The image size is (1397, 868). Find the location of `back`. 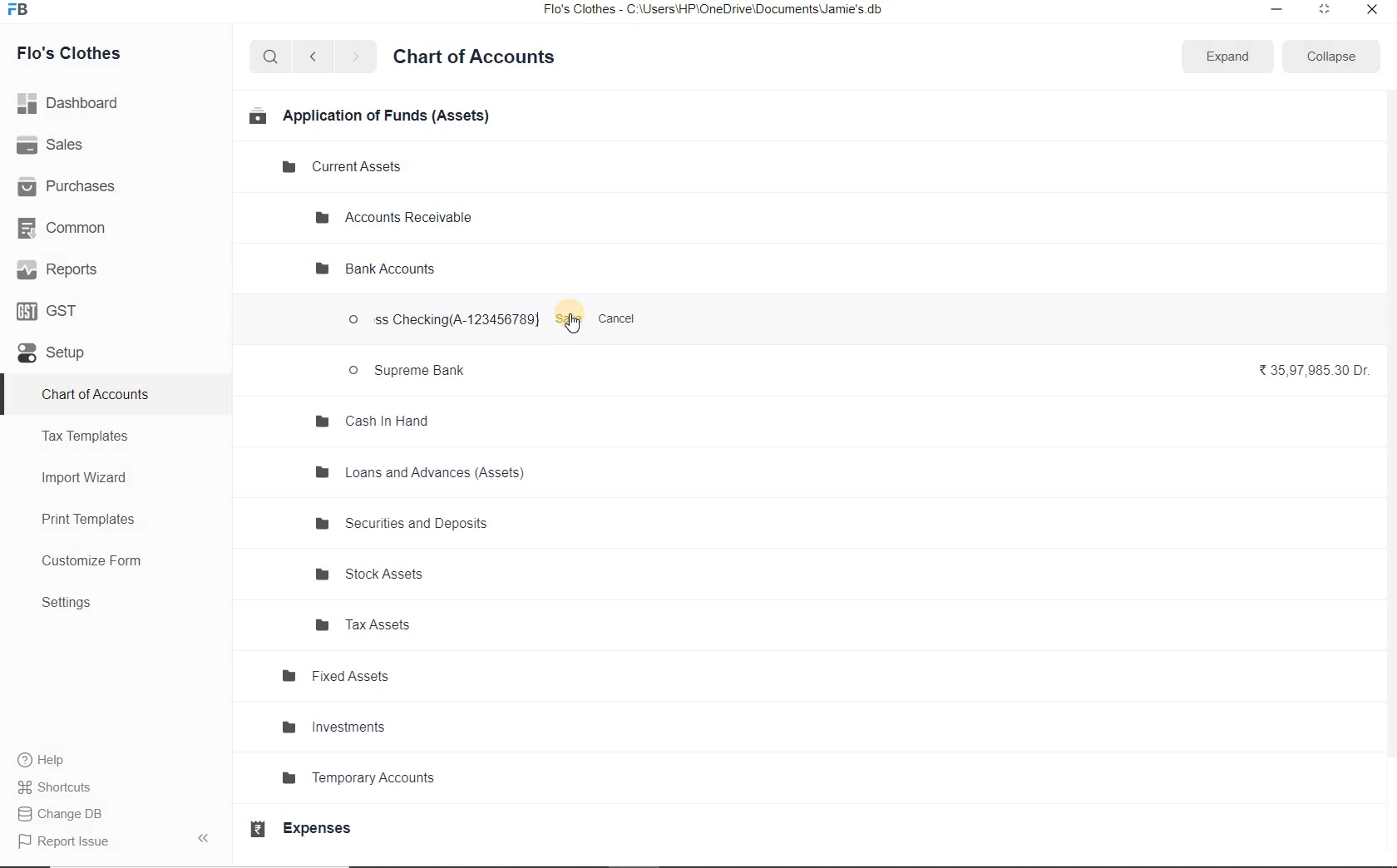

back is located at coordinates (313, 56).